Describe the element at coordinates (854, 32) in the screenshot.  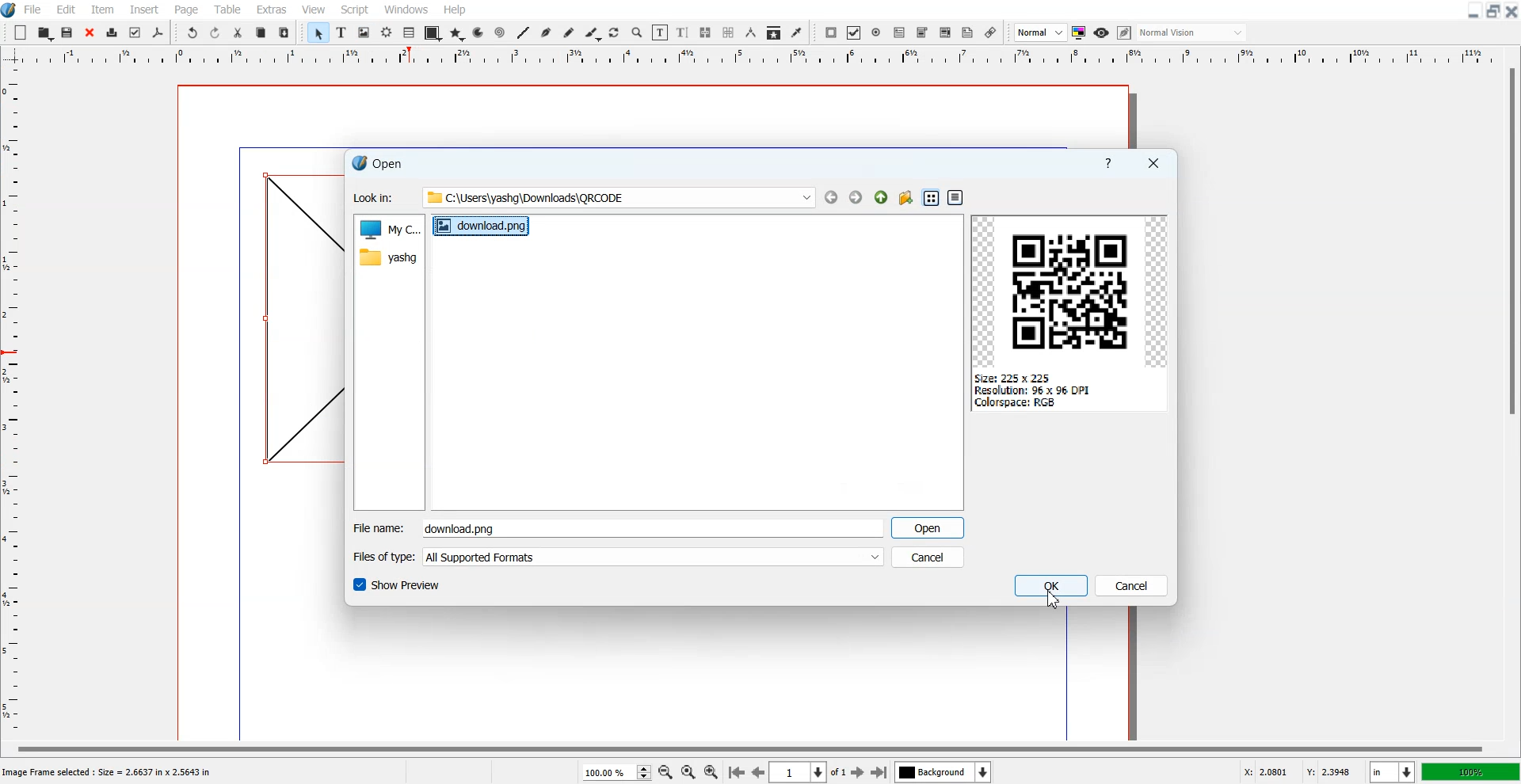
I see `PDF Check Box` at that location.